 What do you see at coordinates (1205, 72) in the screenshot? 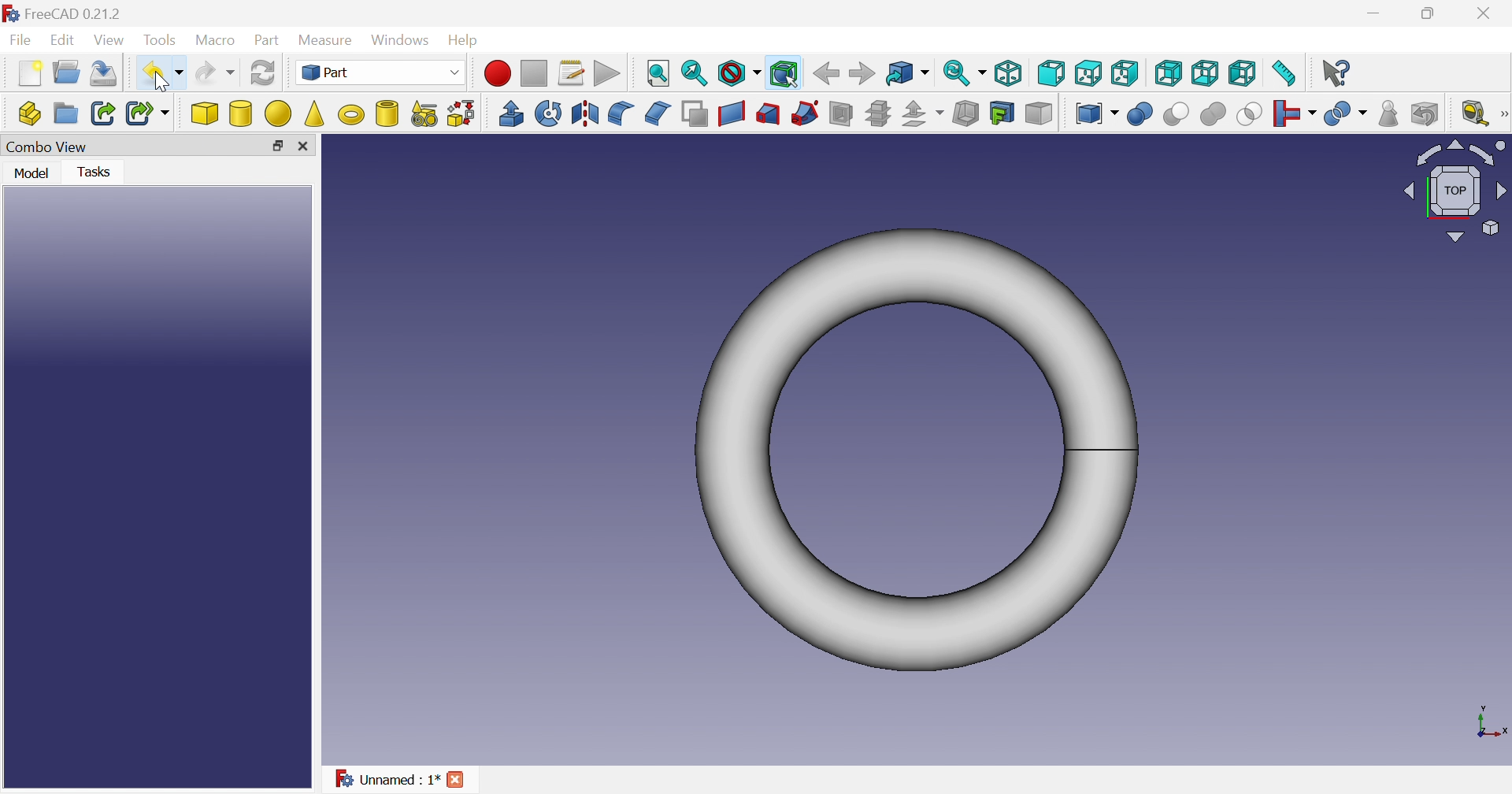
I see `Rear` at bounding box center [1205, 72].